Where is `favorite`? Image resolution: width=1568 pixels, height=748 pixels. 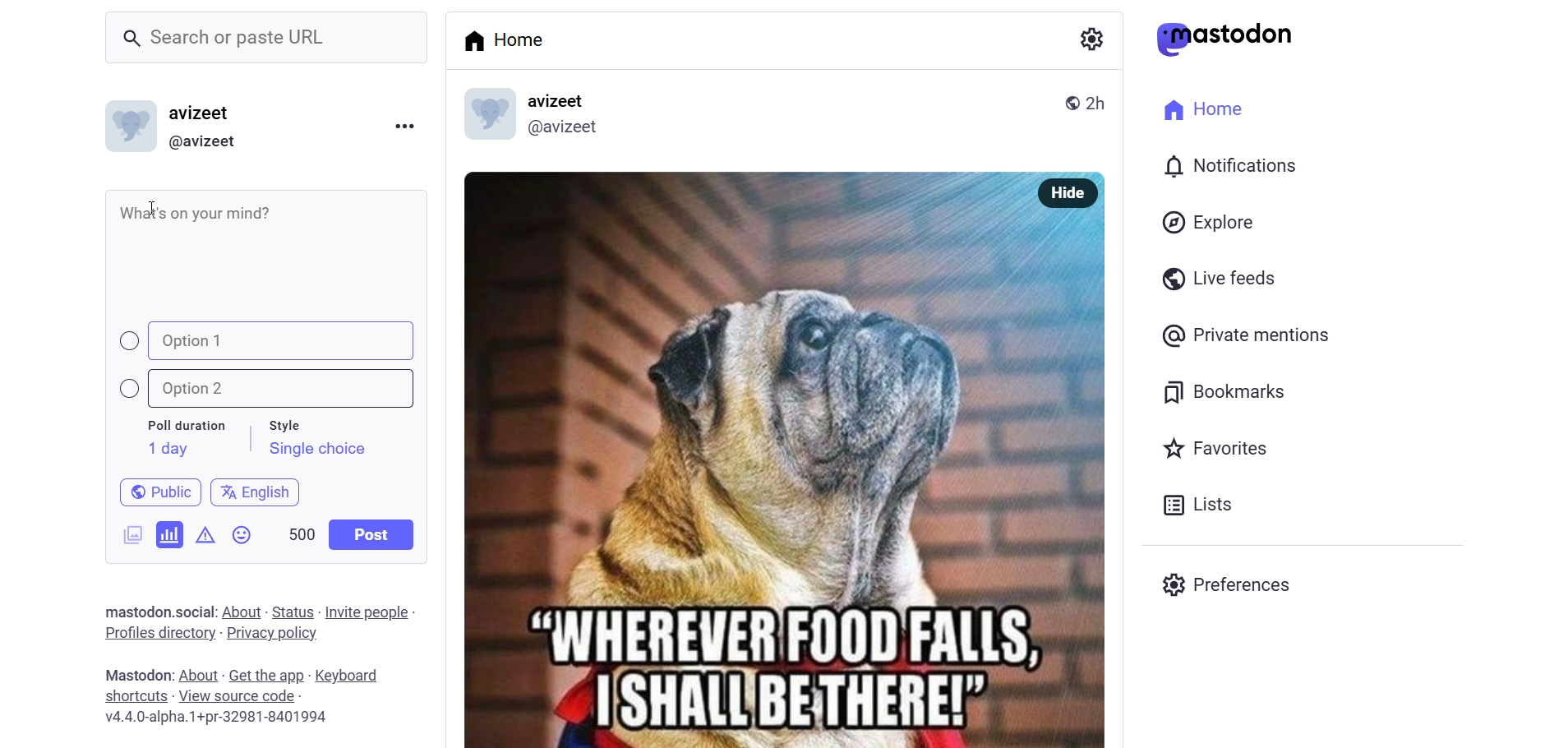 favorite is located at coordinates (1213, 450).